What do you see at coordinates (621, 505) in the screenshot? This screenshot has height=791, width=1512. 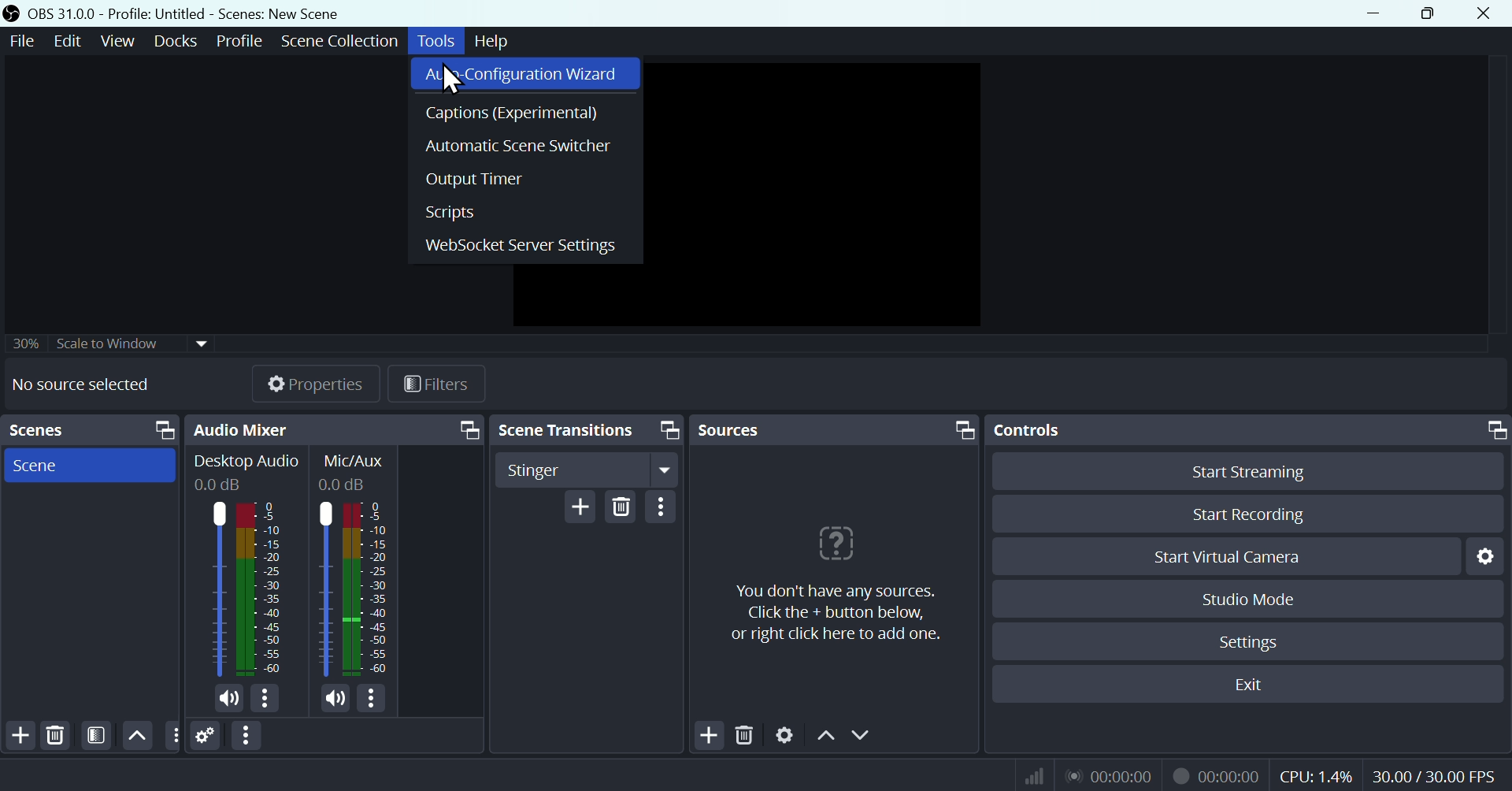 I see `Delete` at bounding box center [621, 505].